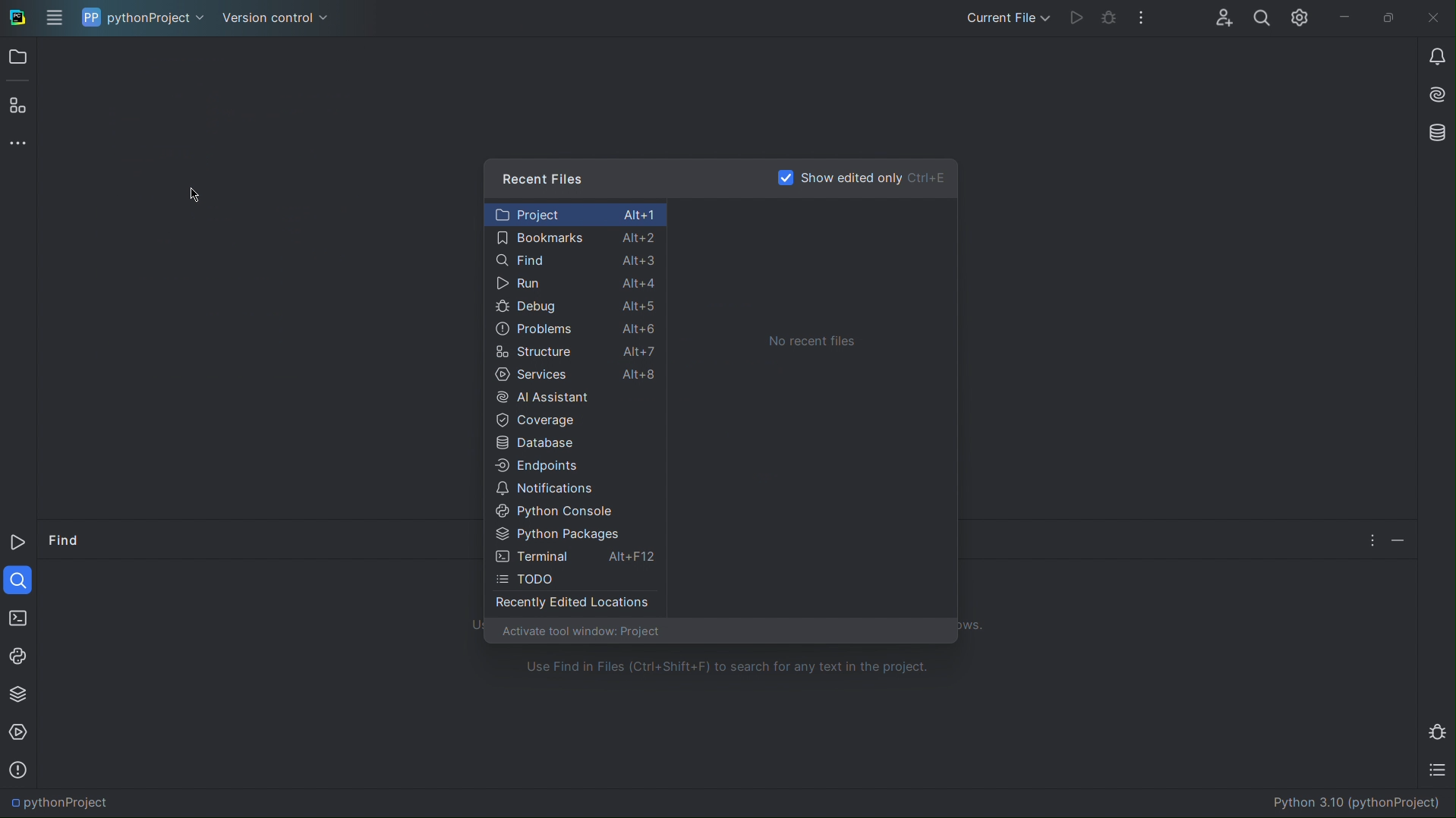 Image resolution: width=1456 pixels, height=818 pixels. What do you see at coordinates (18, 578) in the screenshot?
I see `Find` at bounding box center [18, 578].